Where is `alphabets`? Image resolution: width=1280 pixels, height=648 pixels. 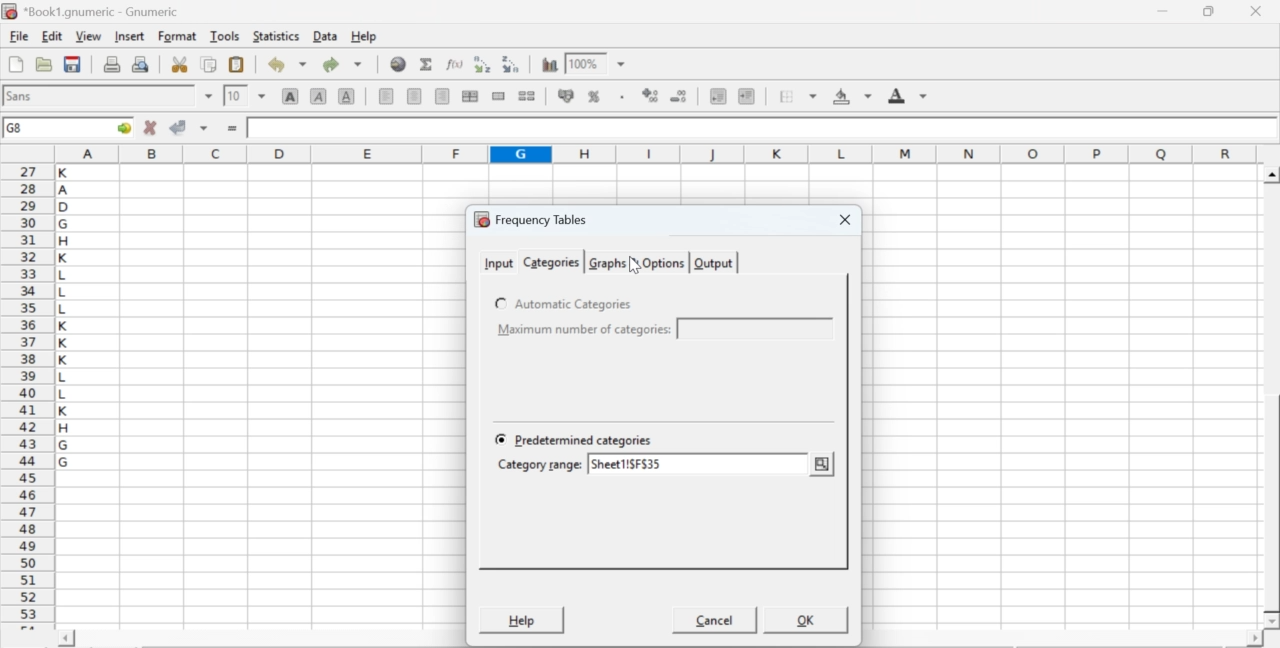 alphabets is located at coordinates (65, 393).